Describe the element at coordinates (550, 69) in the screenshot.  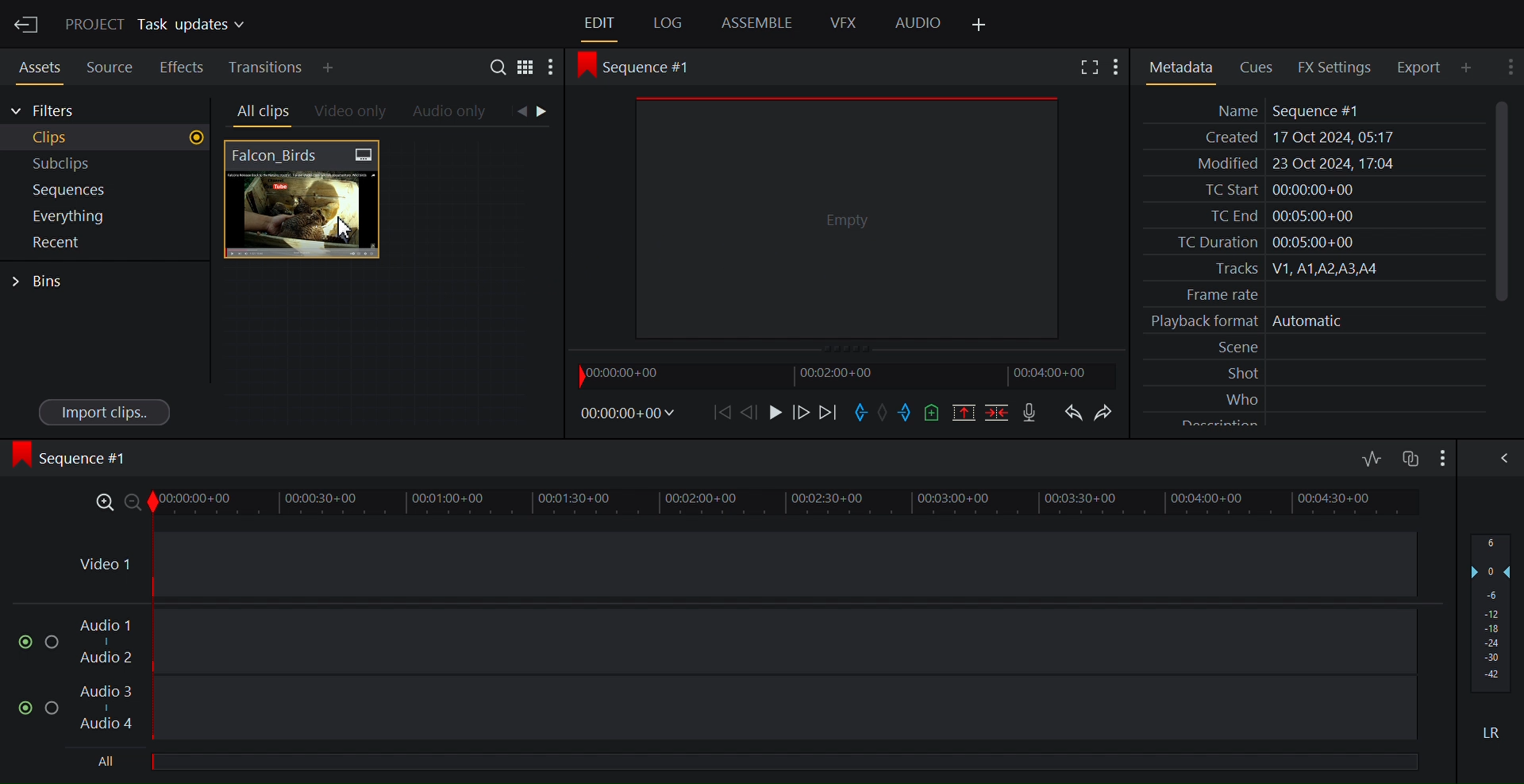
I see `Show settings menu` at that location.